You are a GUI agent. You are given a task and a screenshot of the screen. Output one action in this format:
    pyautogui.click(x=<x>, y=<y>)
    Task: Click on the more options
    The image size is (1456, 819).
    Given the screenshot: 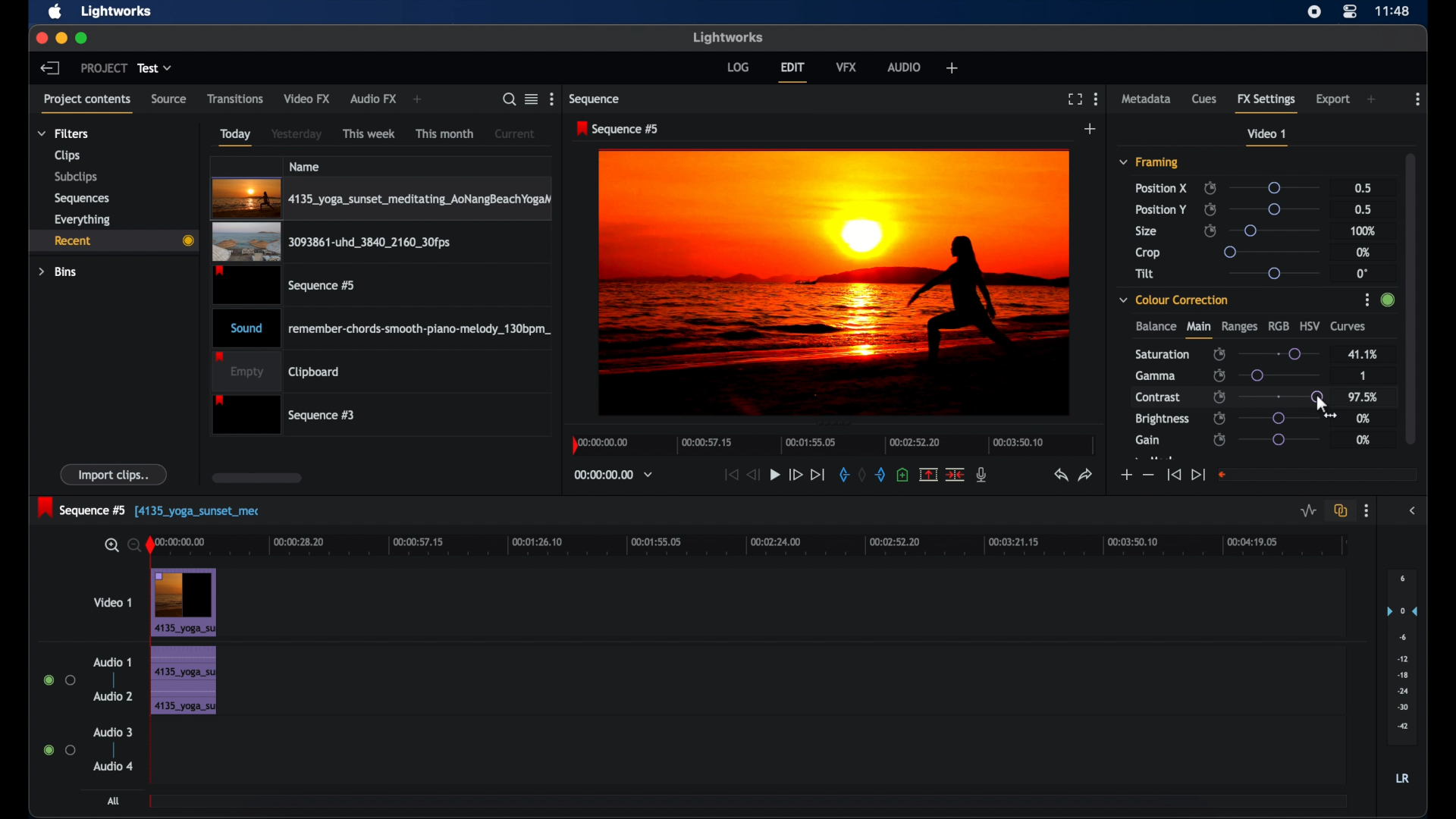 What is the action you would take?
    pyautogui.click(x=1096, y=99)
    